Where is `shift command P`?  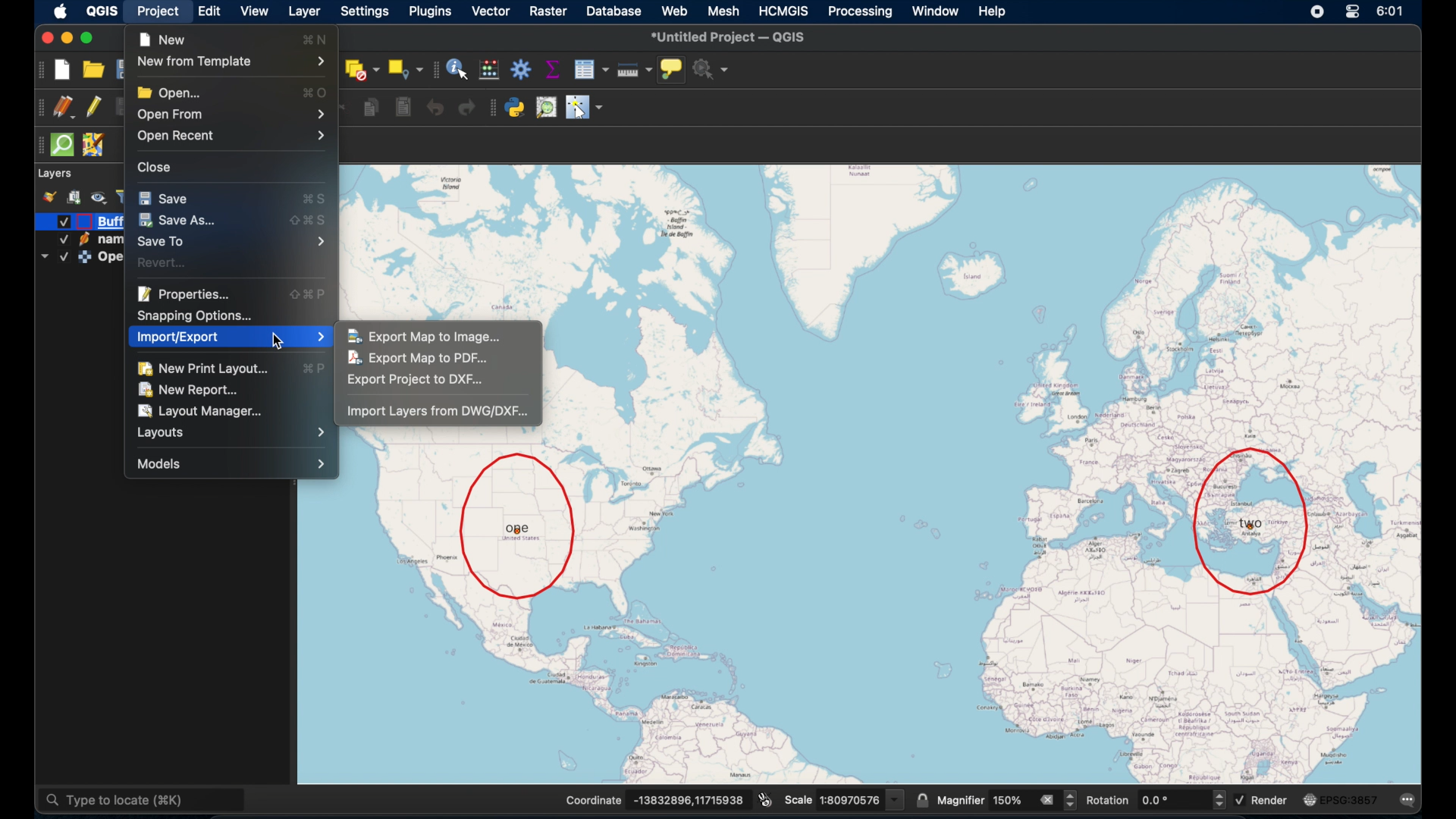 shift command P is located at coordinates (311, 294).